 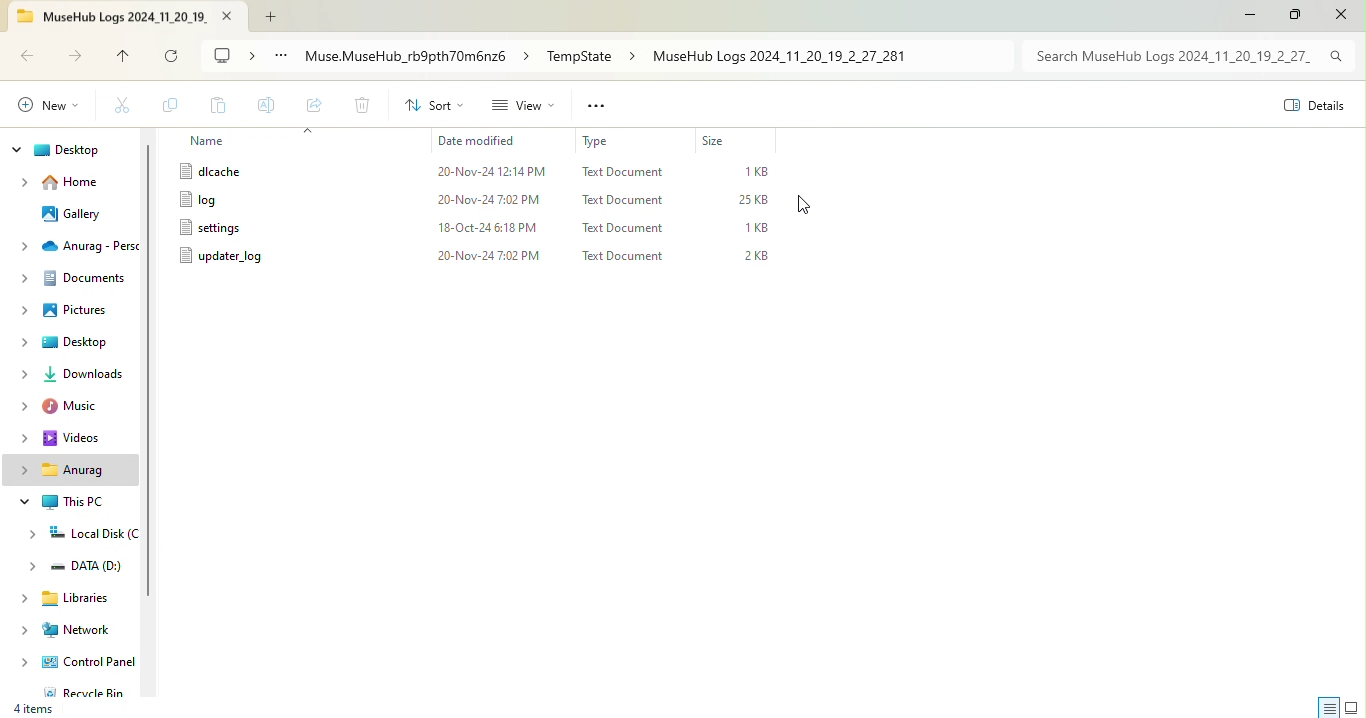 I want to click on 4 Items, so click(x=35, y=711).